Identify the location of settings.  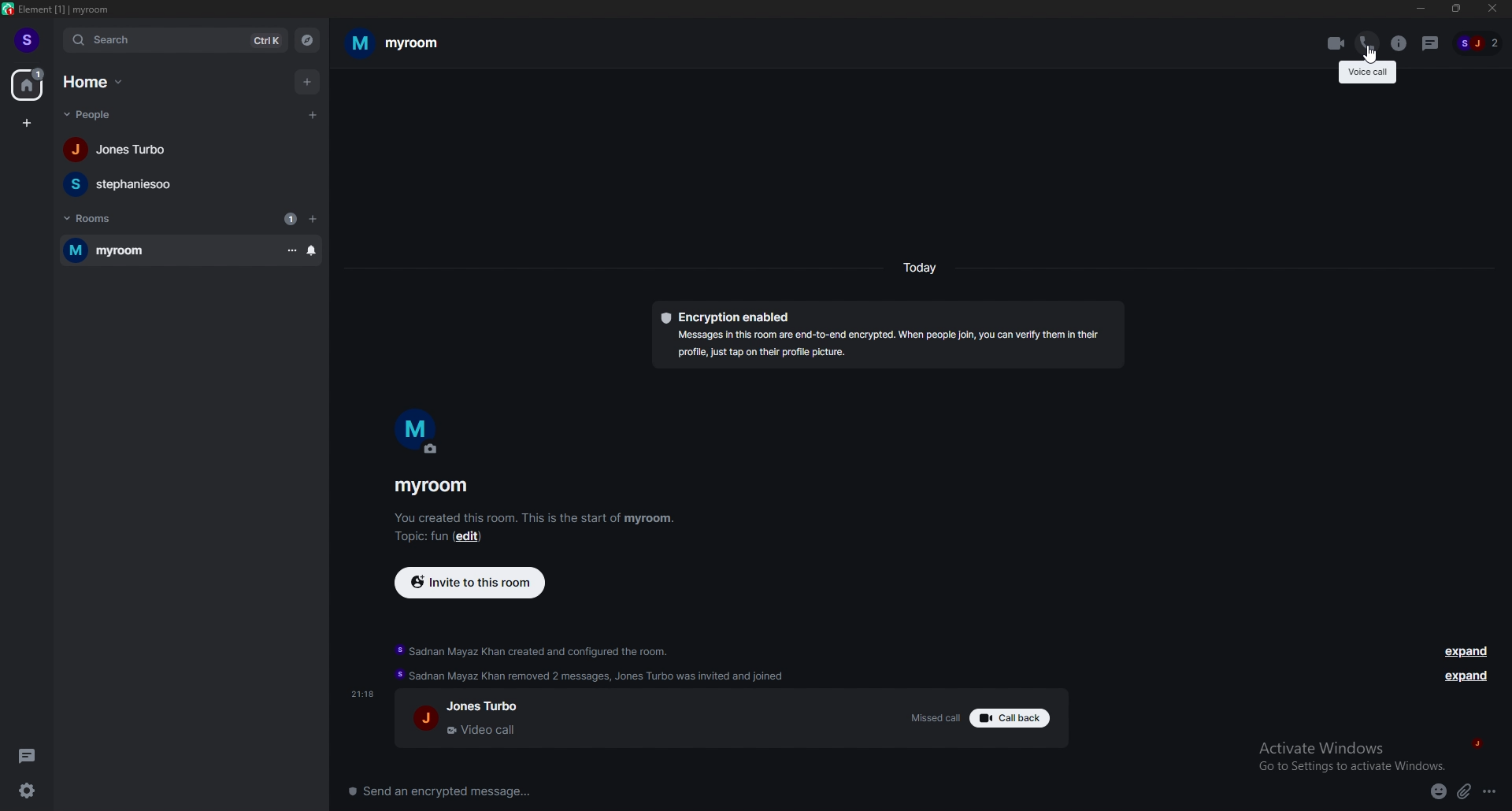
(31, 791).